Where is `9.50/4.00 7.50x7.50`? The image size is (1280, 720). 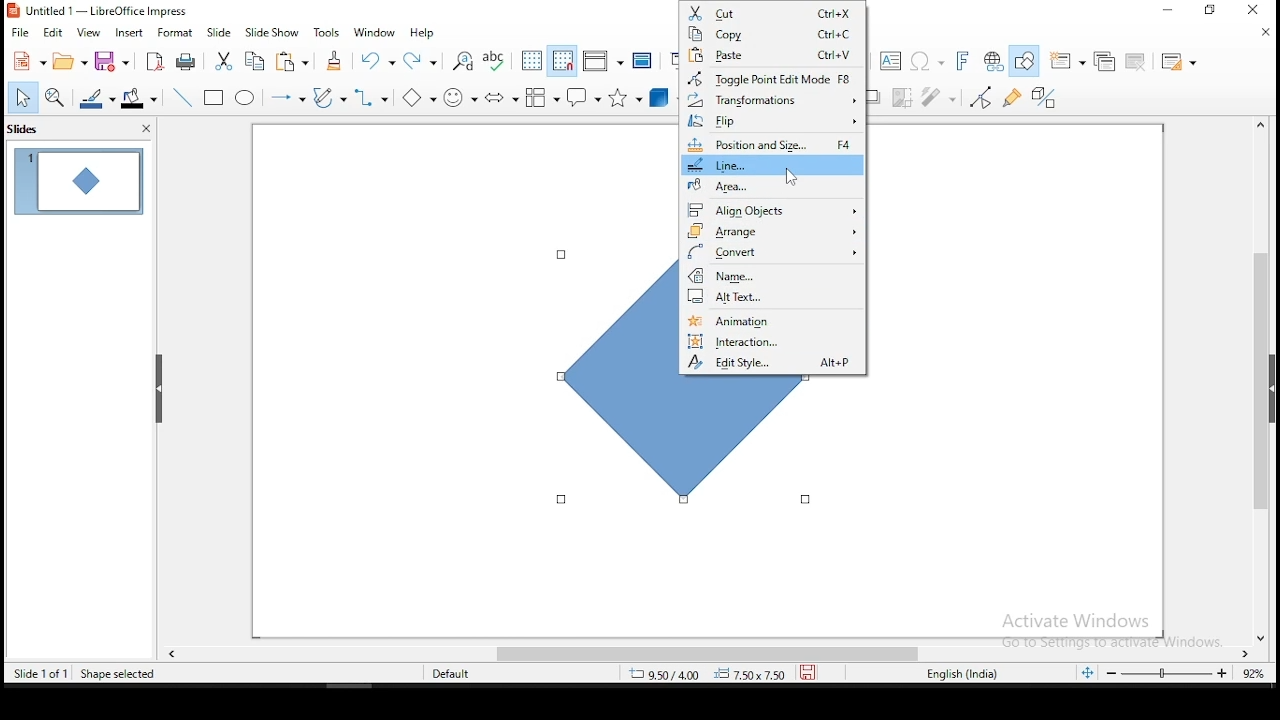
9.50/4.00 7.50x7.50 is located at coordinates (699, 675).